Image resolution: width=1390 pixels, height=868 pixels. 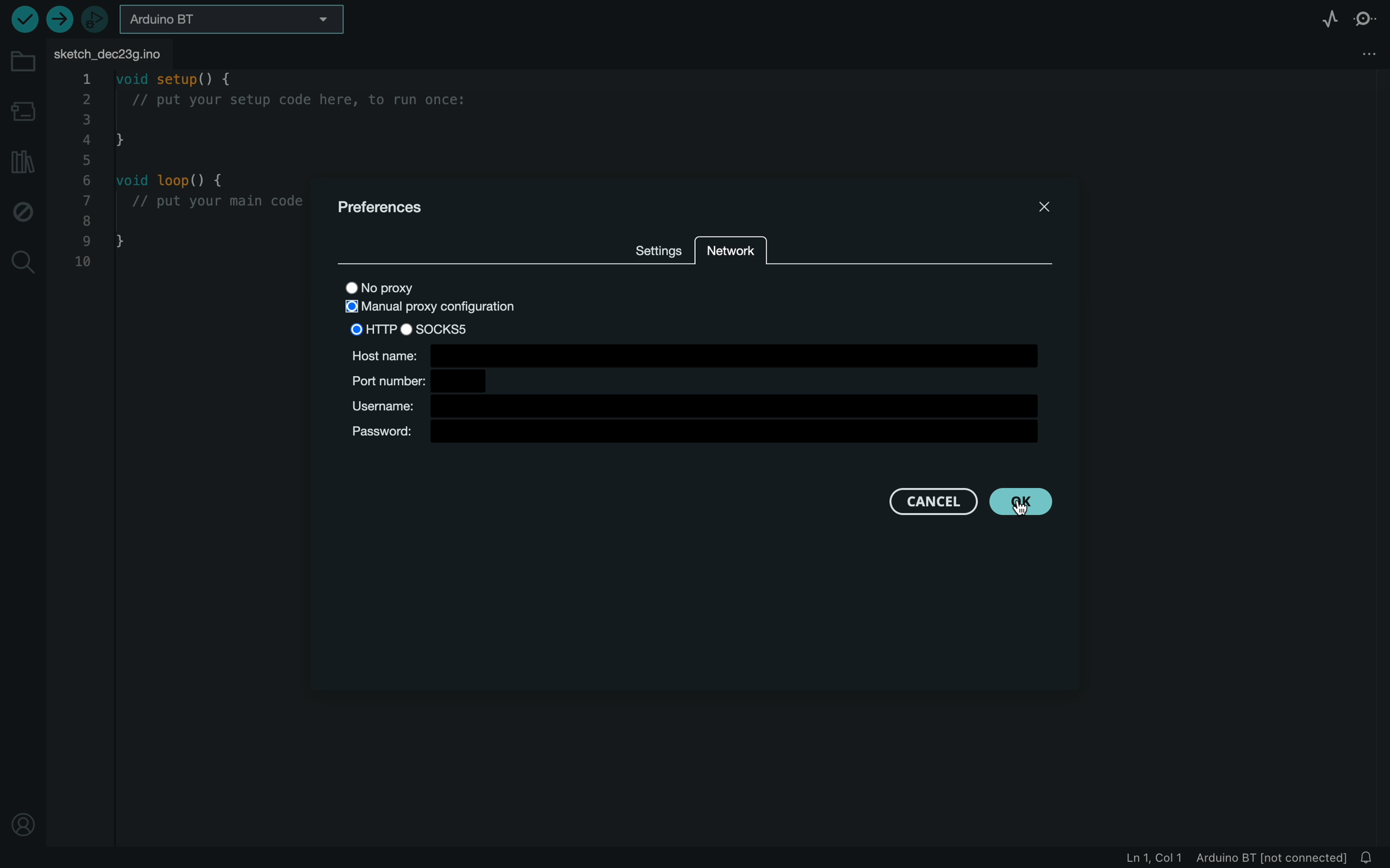 I want to click on cancel, so click(x=933, y=501).